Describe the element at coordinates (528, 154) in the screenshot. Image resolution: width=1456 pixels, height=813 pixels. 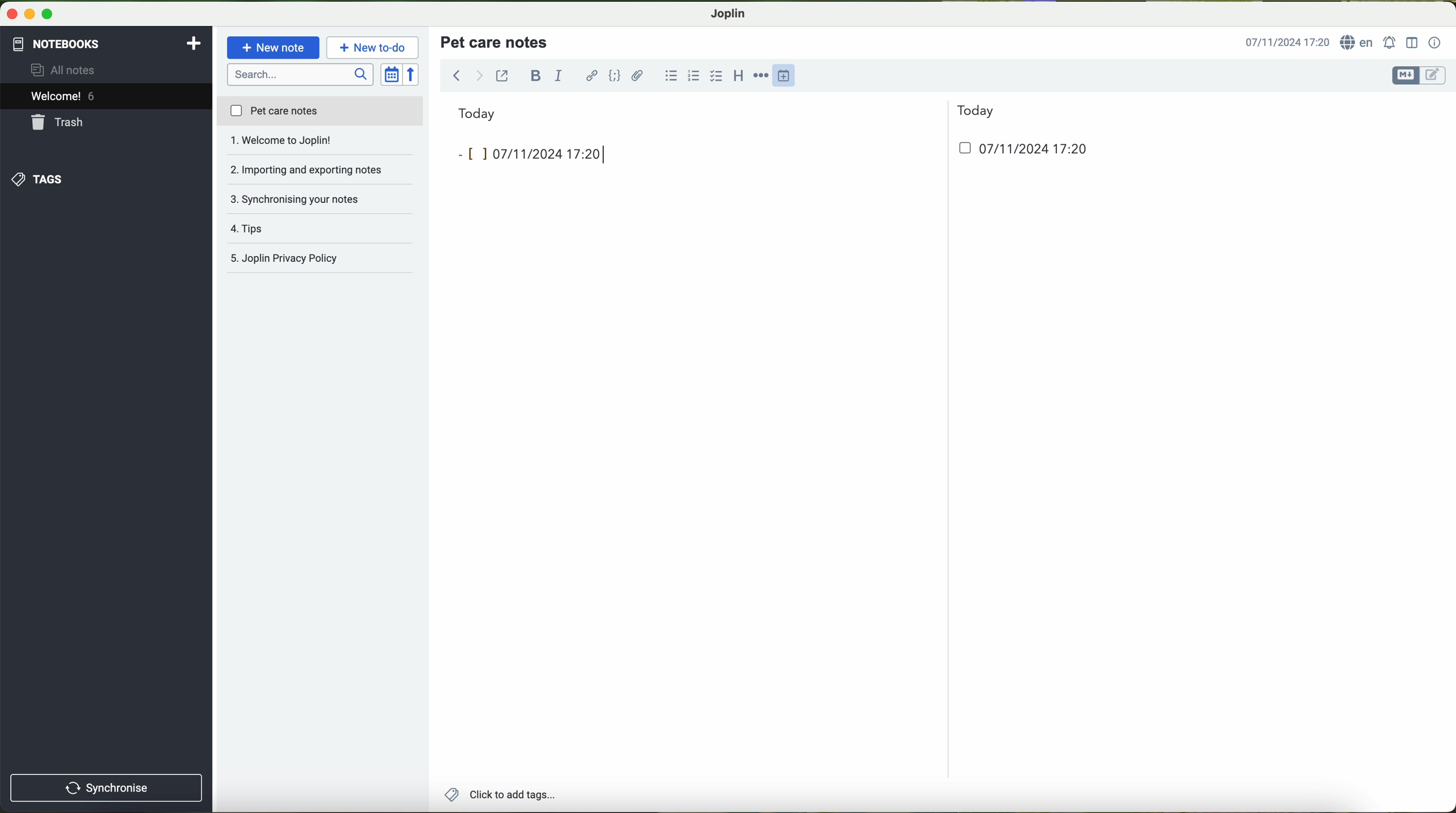
I see `inputs` at that location.